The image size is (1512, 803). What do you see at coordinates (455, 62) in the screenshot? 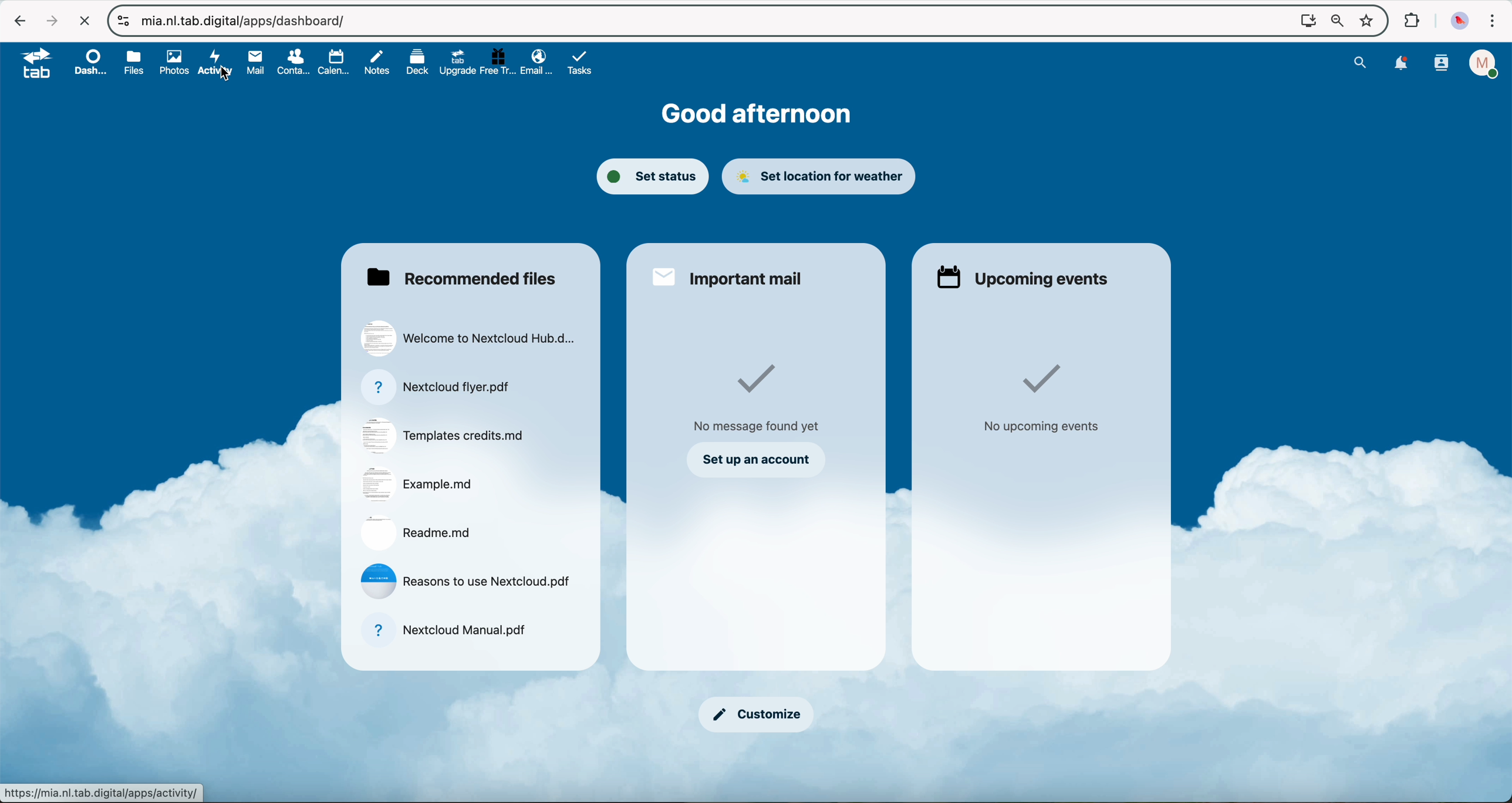
I see `upgrade` at bounding box center [455, 62].